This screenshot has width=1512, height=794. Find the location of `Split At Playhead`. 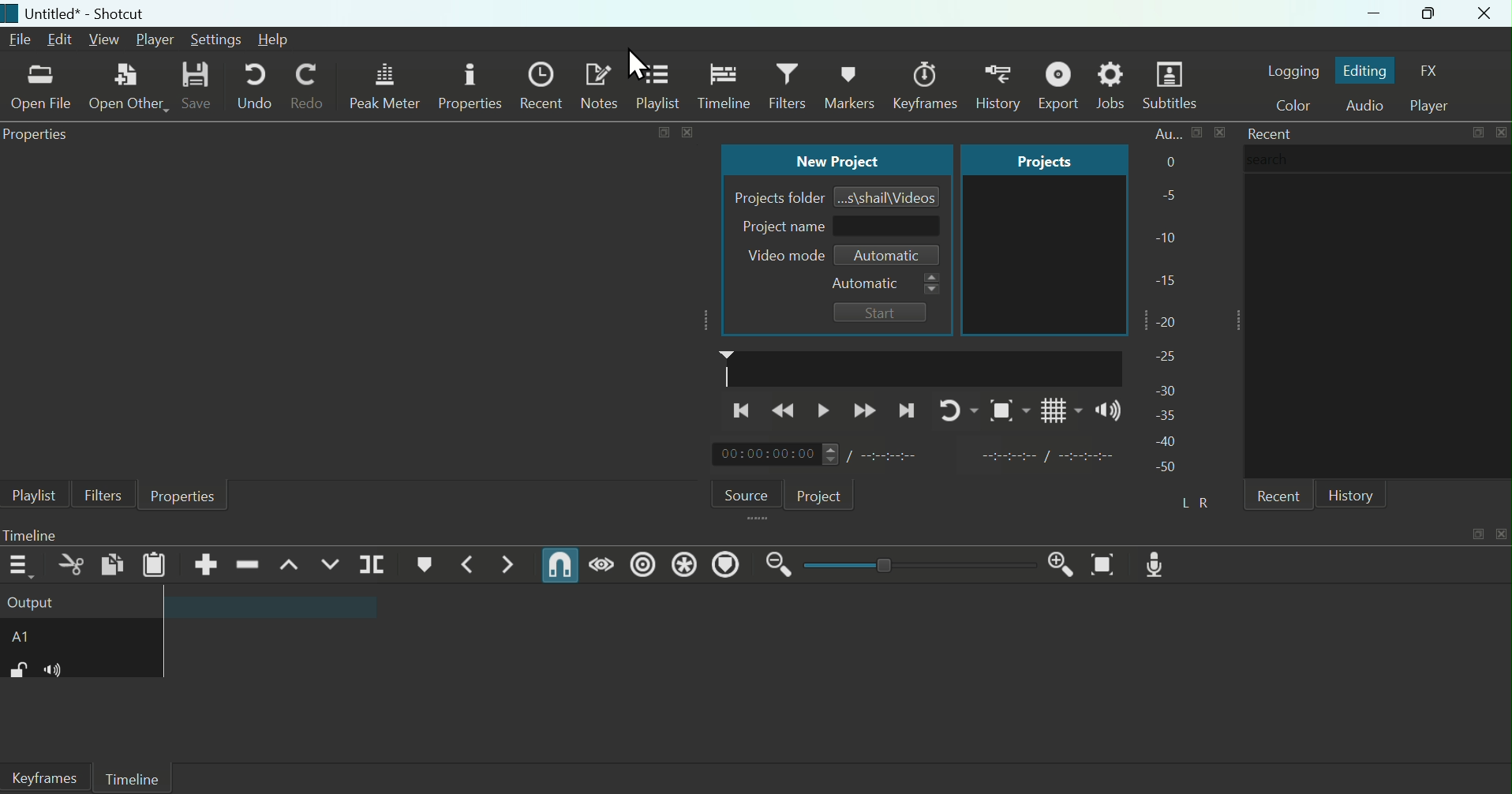

Split At Playhead is located at coordinates (374, 565).